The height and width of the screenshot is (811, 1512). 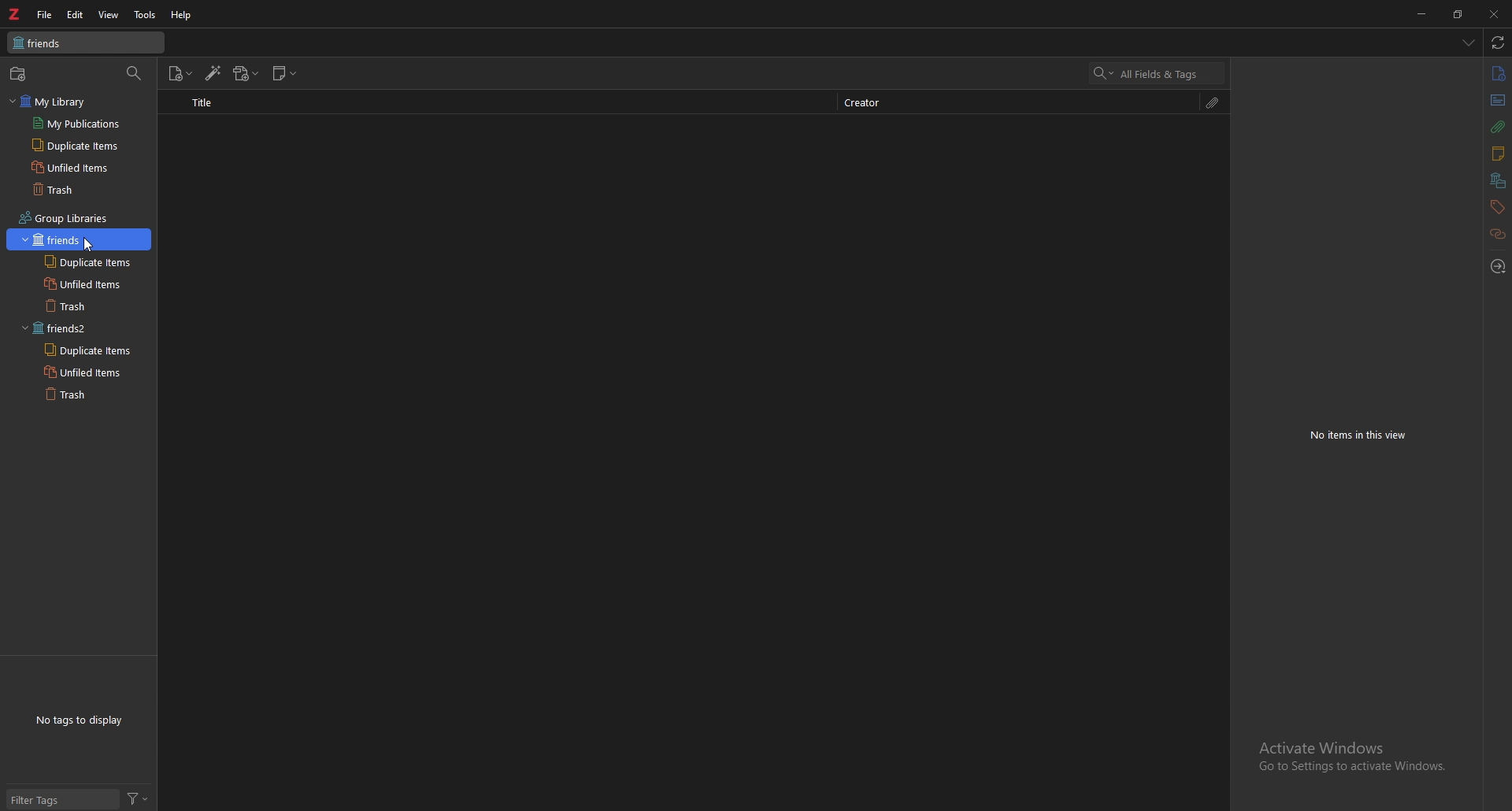 I want to click on view, so click(x=109, y=14).